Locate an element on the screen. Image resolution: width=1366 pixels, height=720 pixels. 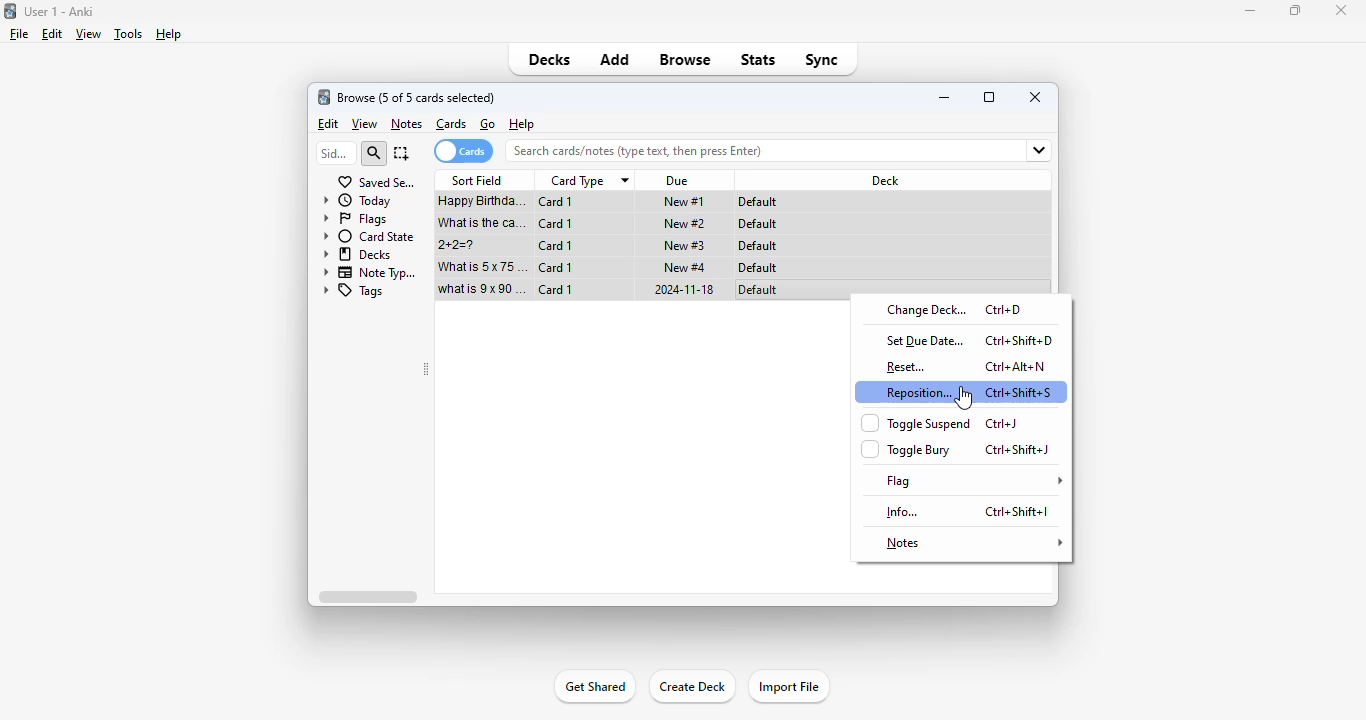
cards is located at coordinates (463, 151).